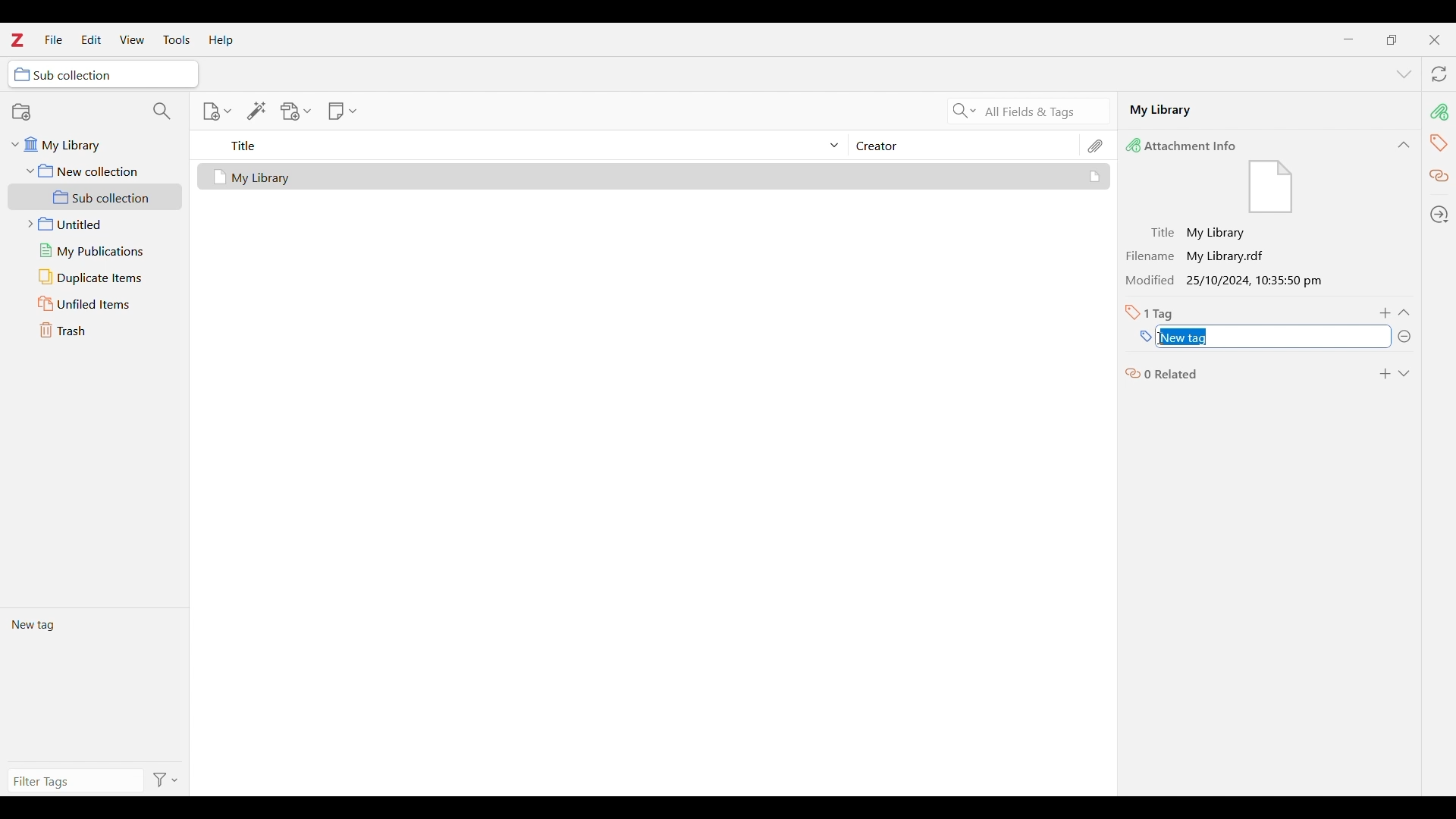 The height and width of the screenshot is (819, 1456). What do you see at coordinates (1392, 39) in the screenshot?
I see `Show interface in a smaller tab` at bounding box center [1392, 39].